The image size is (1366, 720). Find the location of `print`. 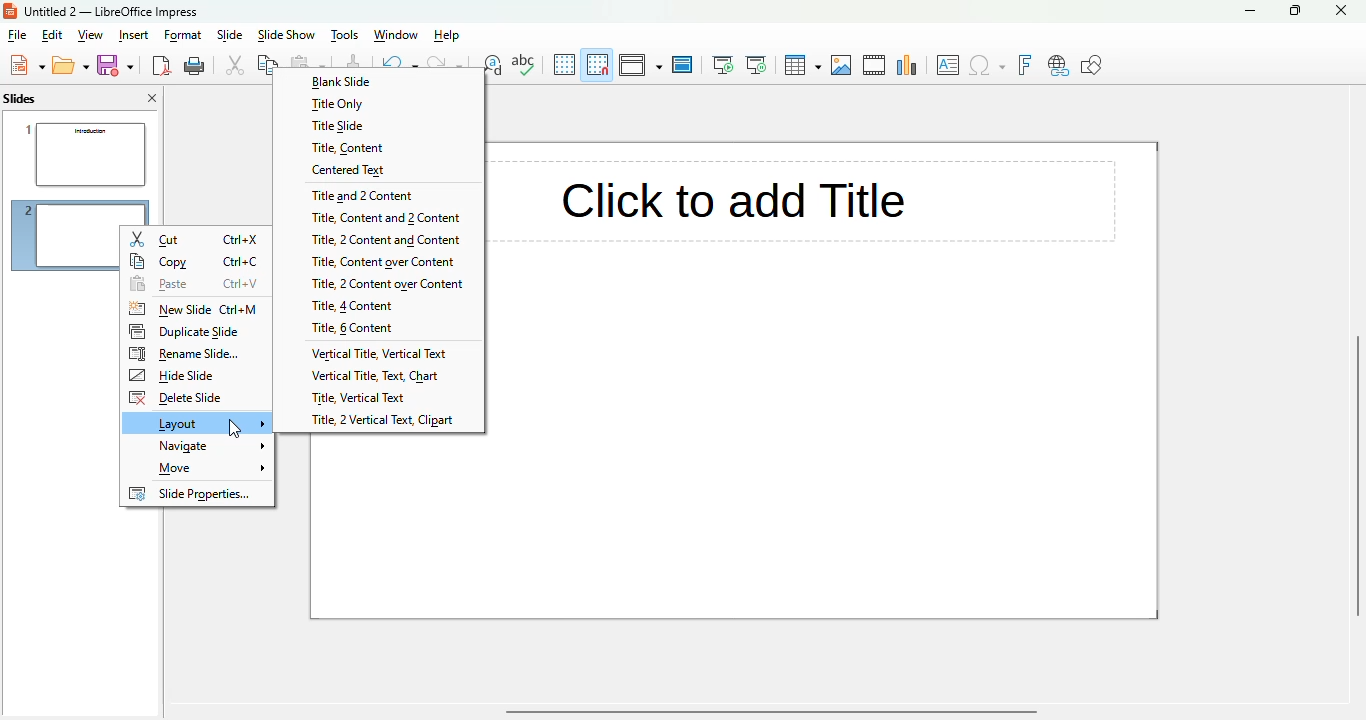

print is located at coordinates (195, 66).